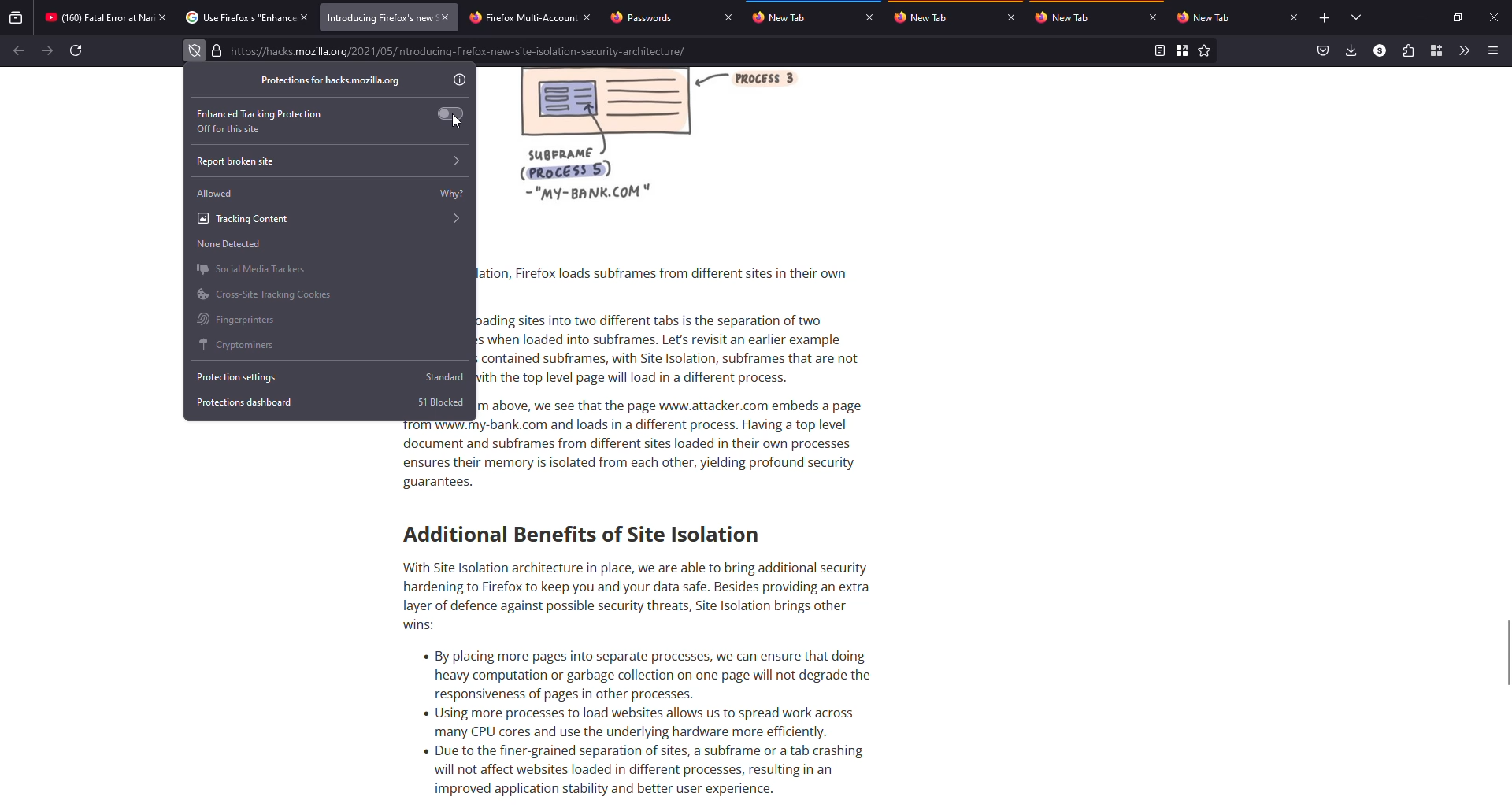 The height and width of the screenshot is (811, 1512). What do you see at coordinates (239, 345) in the screenshot?
I see `cryptominers` at bounding box center [239, 345].